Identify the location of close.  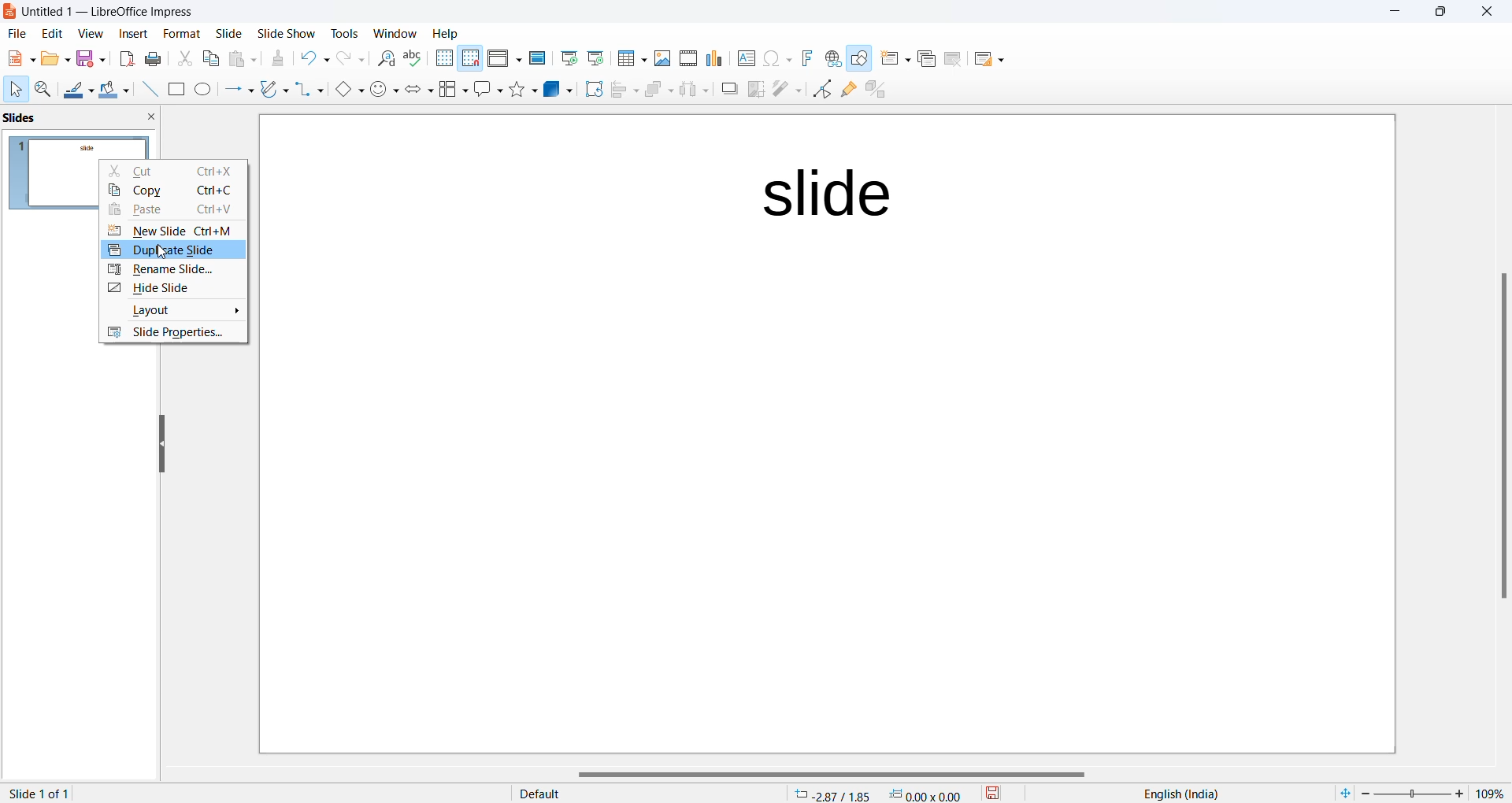
(1487, 14).